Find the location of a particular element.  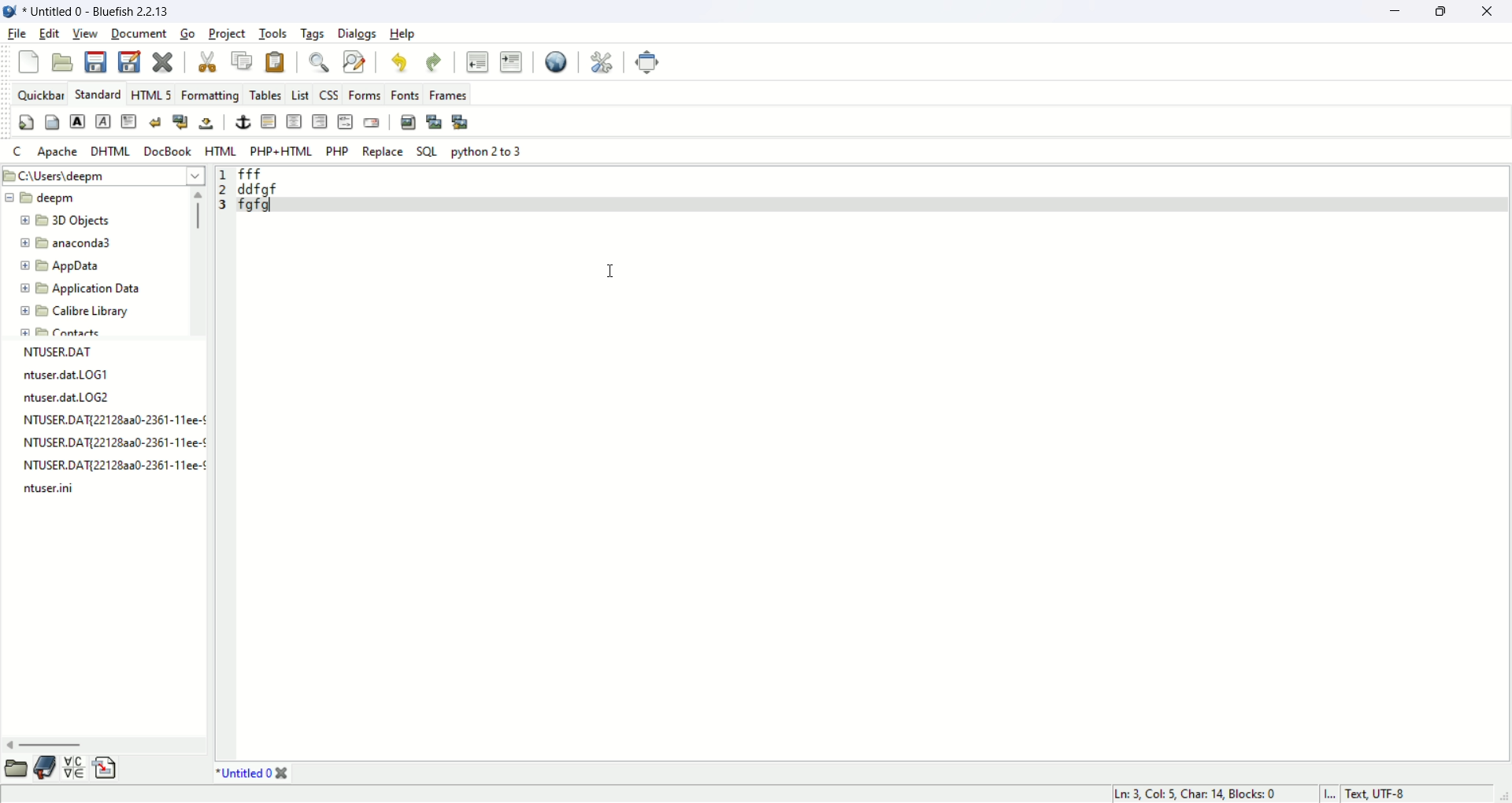

advanced find and replace is located at coordinates (354, 60).